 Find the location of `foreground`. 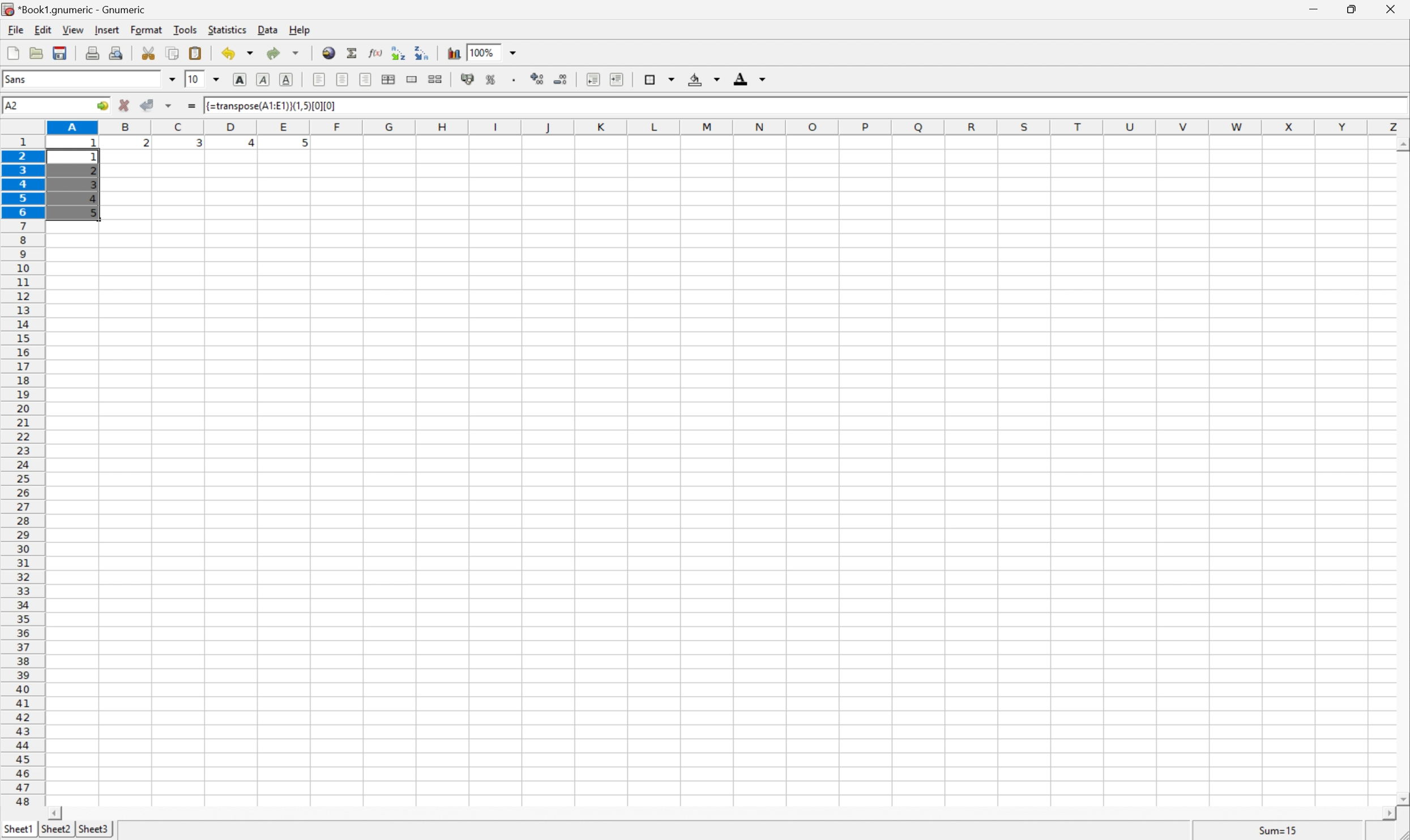

foreground is located at coordinates (752, 80).